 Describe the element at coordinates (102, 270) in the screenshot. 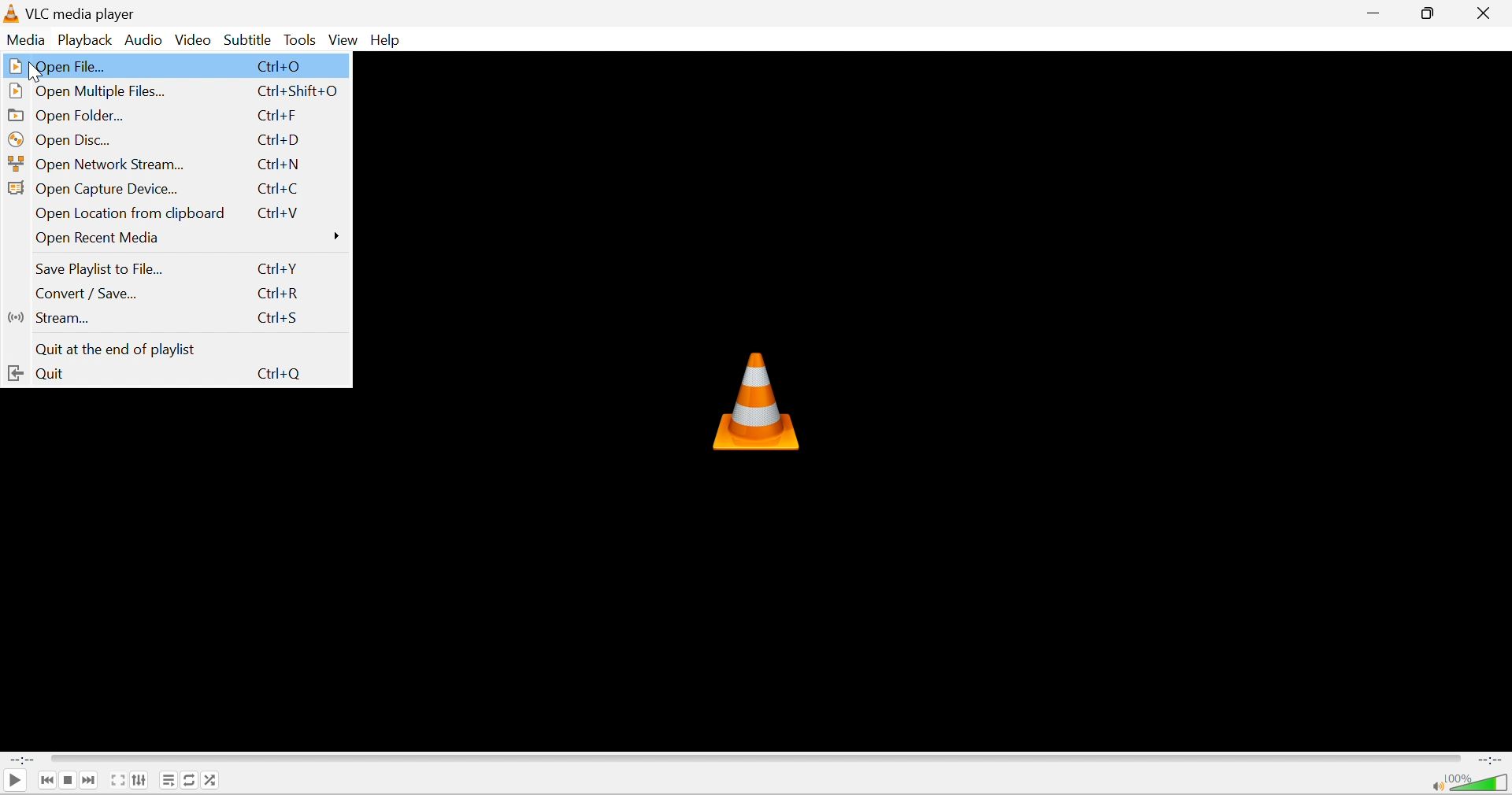

I see `Save Playlist to File...` at that location.